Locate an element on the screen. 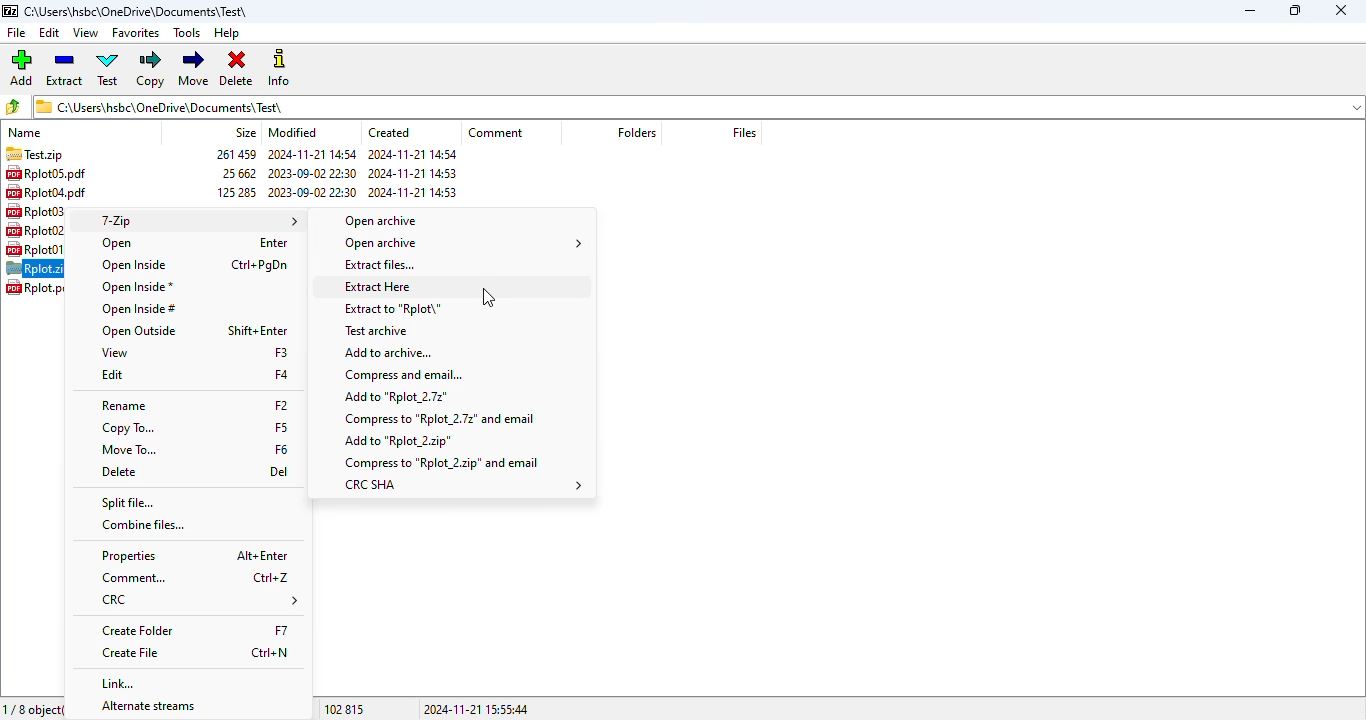 This screenshot has height=720, width=1366. shortcut for copy to is located at coordinates (280, 425).